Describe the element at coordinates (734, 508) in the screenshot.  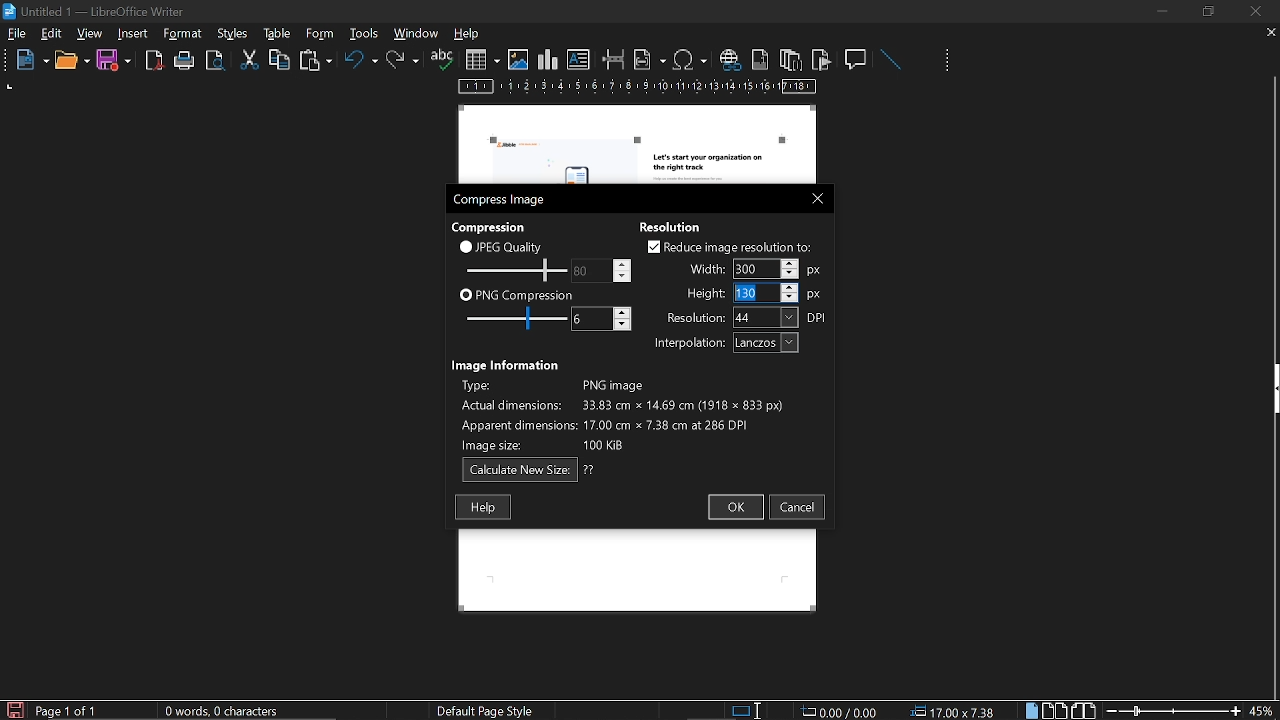
I see `ok ` at that location.